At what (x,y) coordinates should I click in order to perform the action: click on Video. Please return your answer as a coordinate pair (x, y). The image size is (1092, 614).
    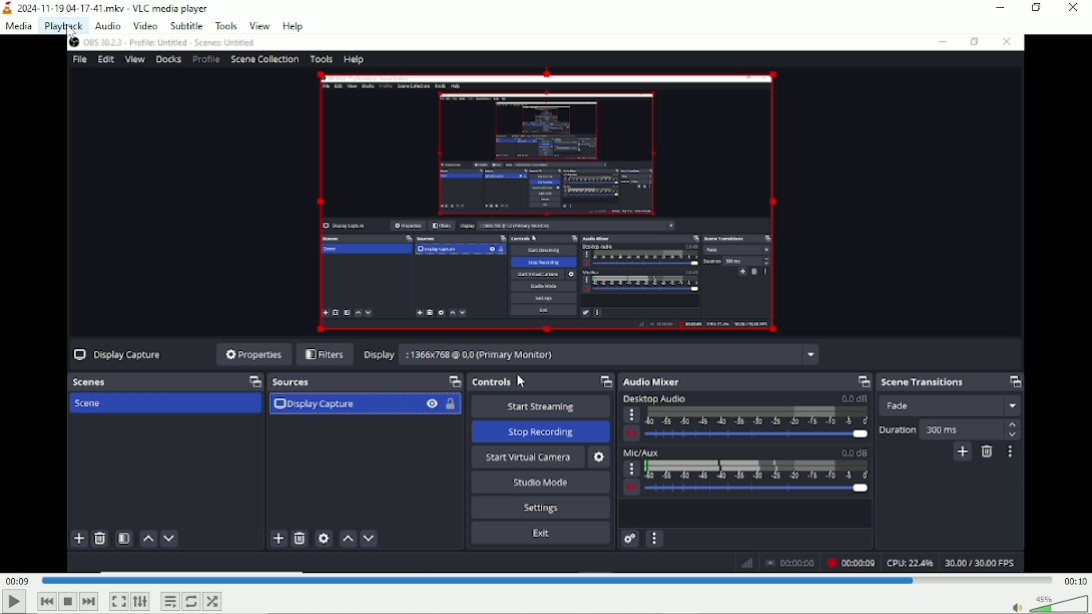
    Looking at the image, I should click on (546, 303).